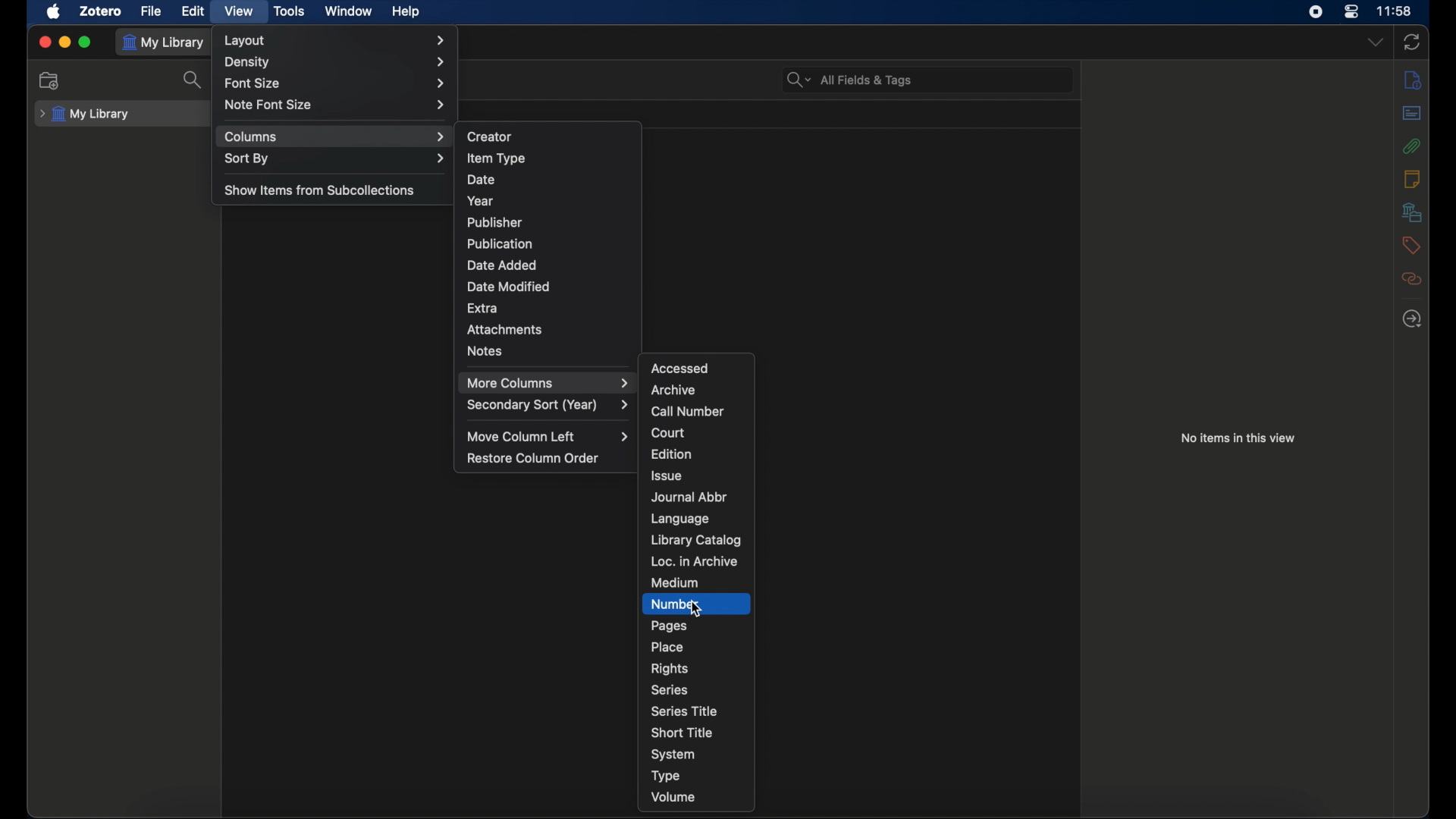  I want to click on library catalog, so click(698, 540).